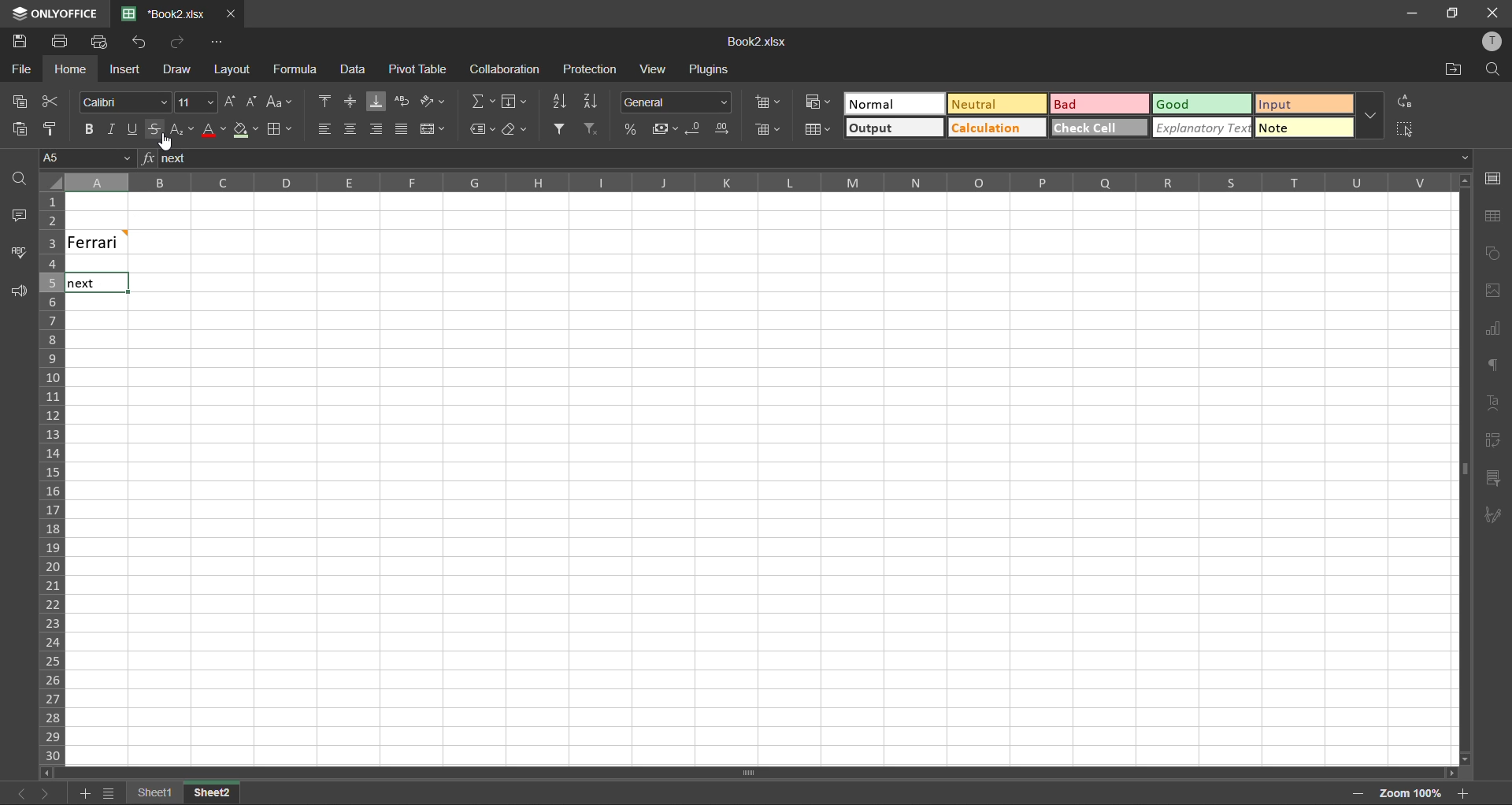  What do you see at coordinates (70, 69) in the screenshot?
I see `home` at bounding box center [70, 69].